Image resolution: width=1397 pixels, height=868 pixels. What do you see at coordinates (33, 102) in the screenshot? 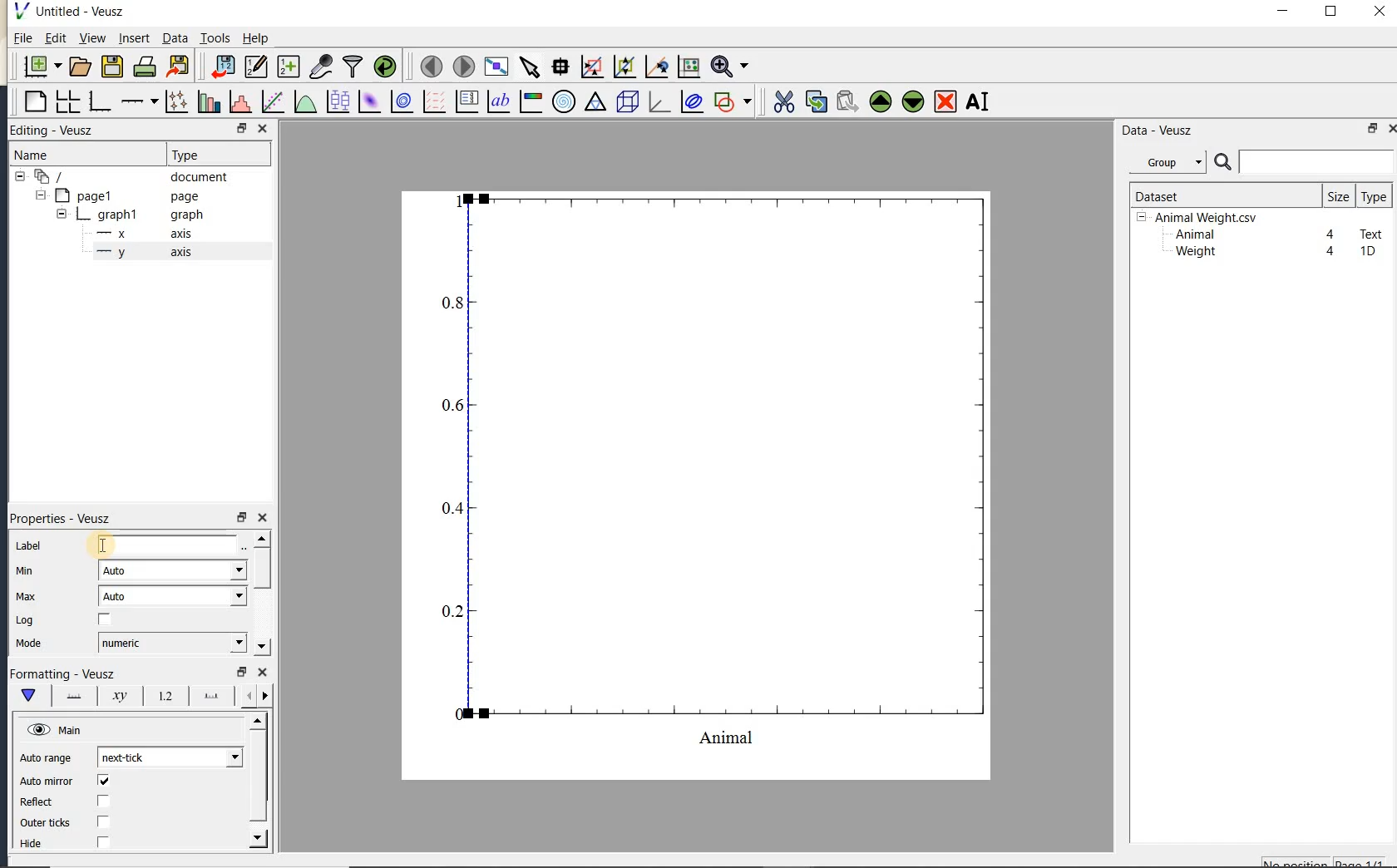
I see `blank page` at bounding box center [33, 102].